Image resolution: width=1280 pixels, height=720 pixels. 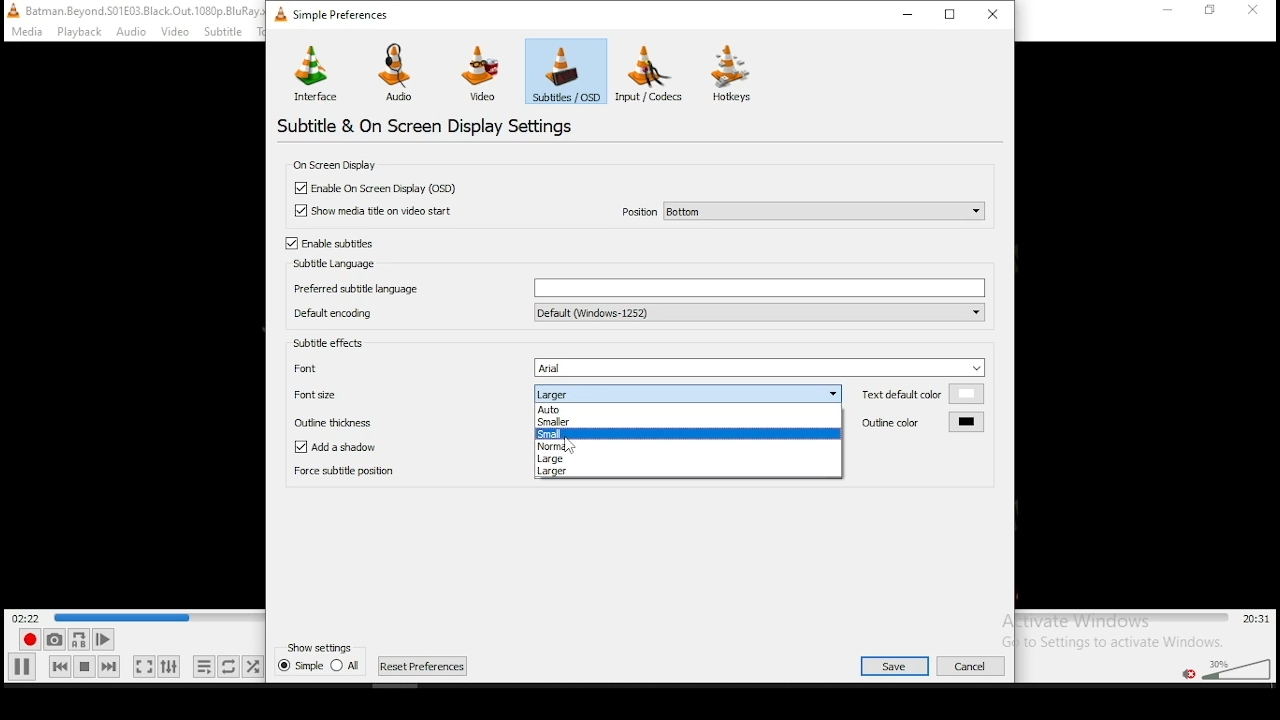 I want to click on smaller, so click(x=687, y=421).